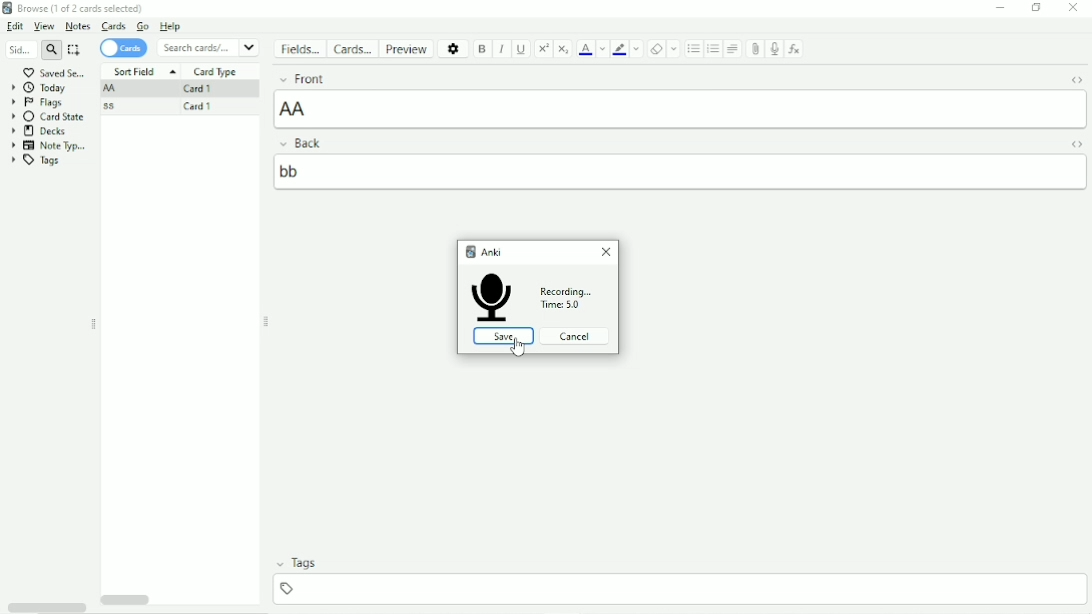 This screenshot has height=614, width=1092. What do you see at coordinates (299, 576) in the screenshot?
I see `Tags` at bounding box center [299, 576].